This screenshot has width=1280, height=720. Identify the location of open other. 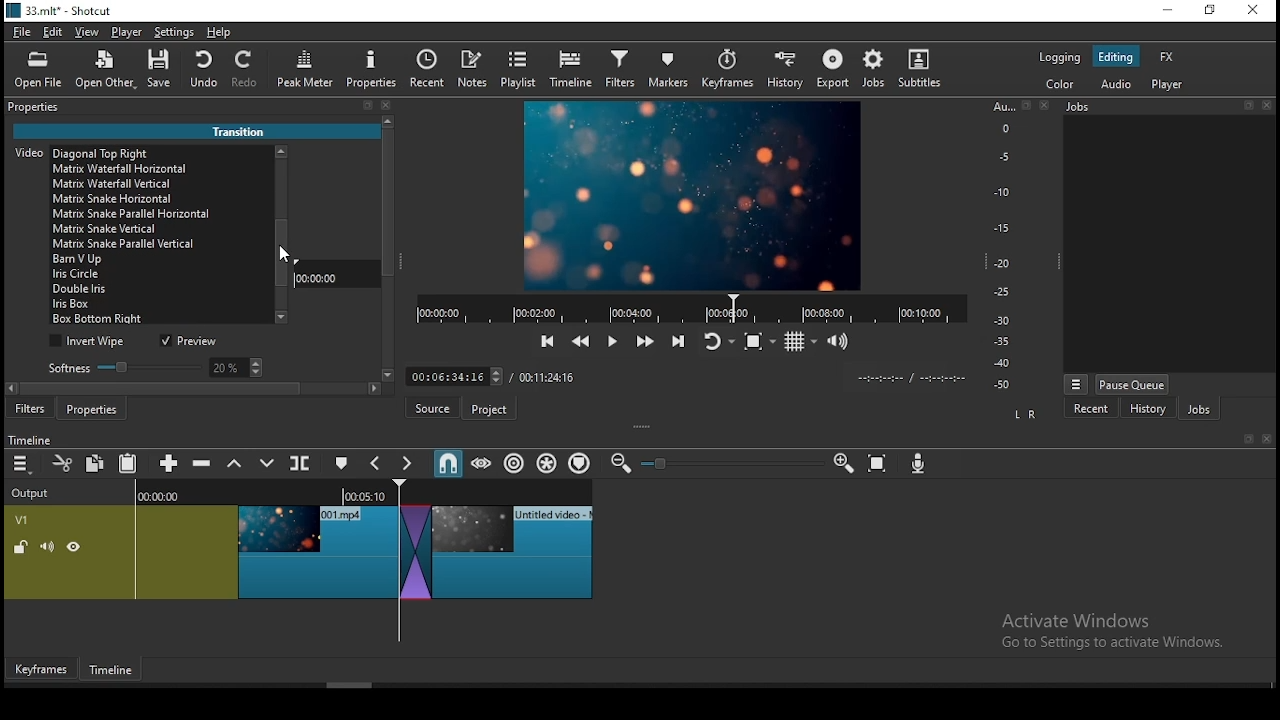
(107, 74).